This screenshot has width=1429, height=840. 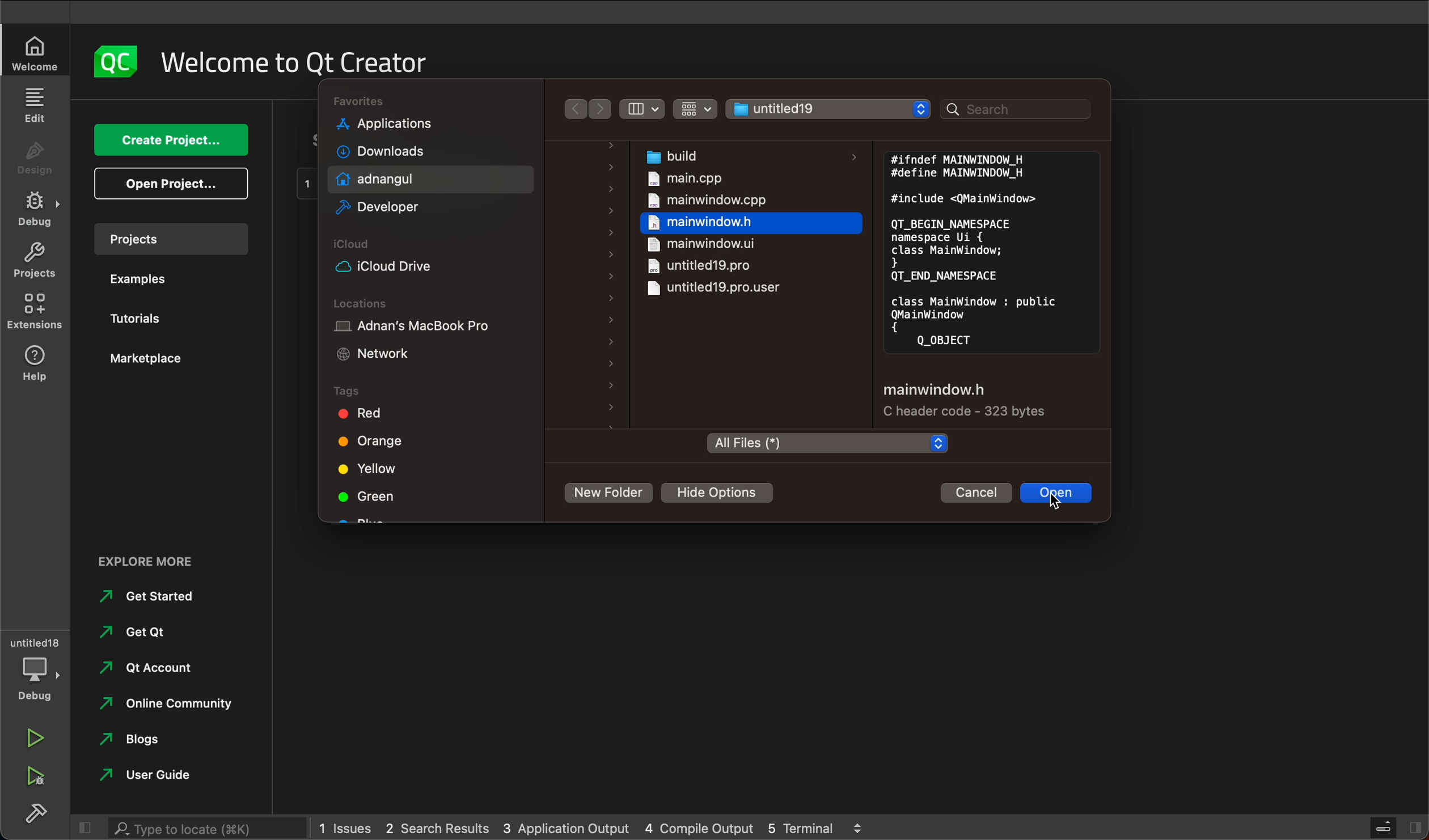 I want to click on open, so click(x=1058, y=494).